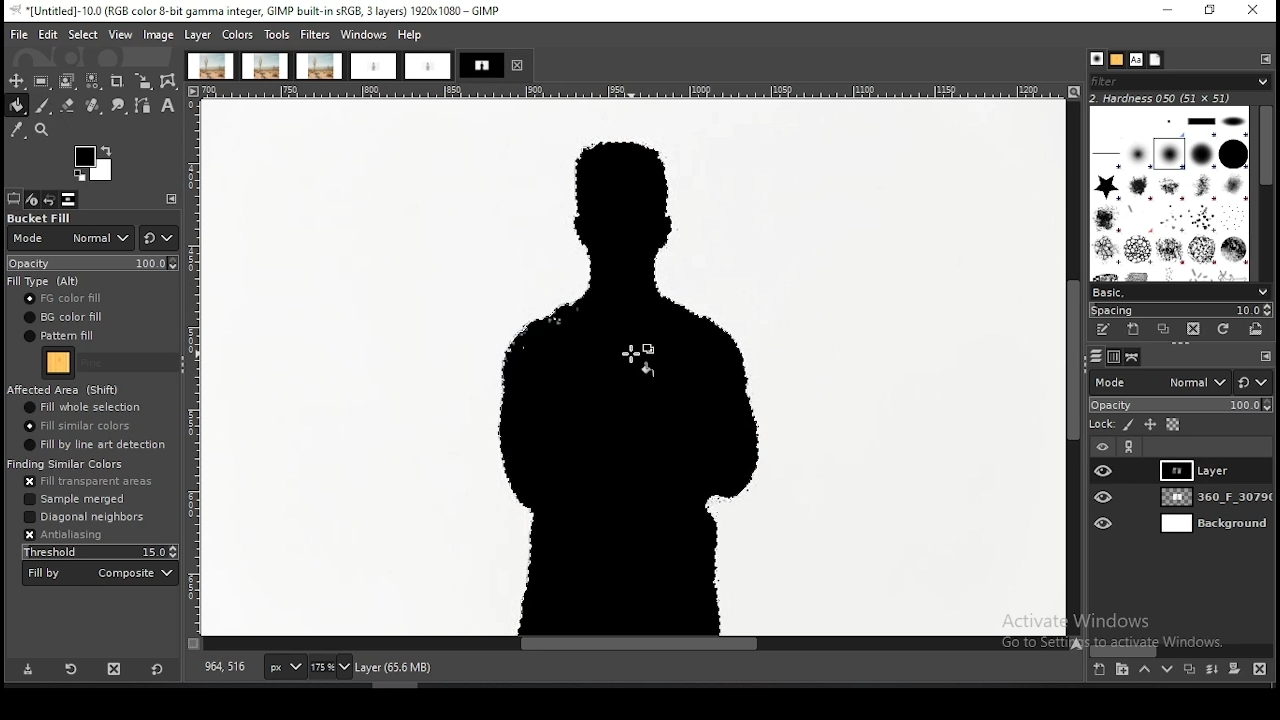 This screenshot has height=720, width=1280. I want to click on image, so click(158, 36).